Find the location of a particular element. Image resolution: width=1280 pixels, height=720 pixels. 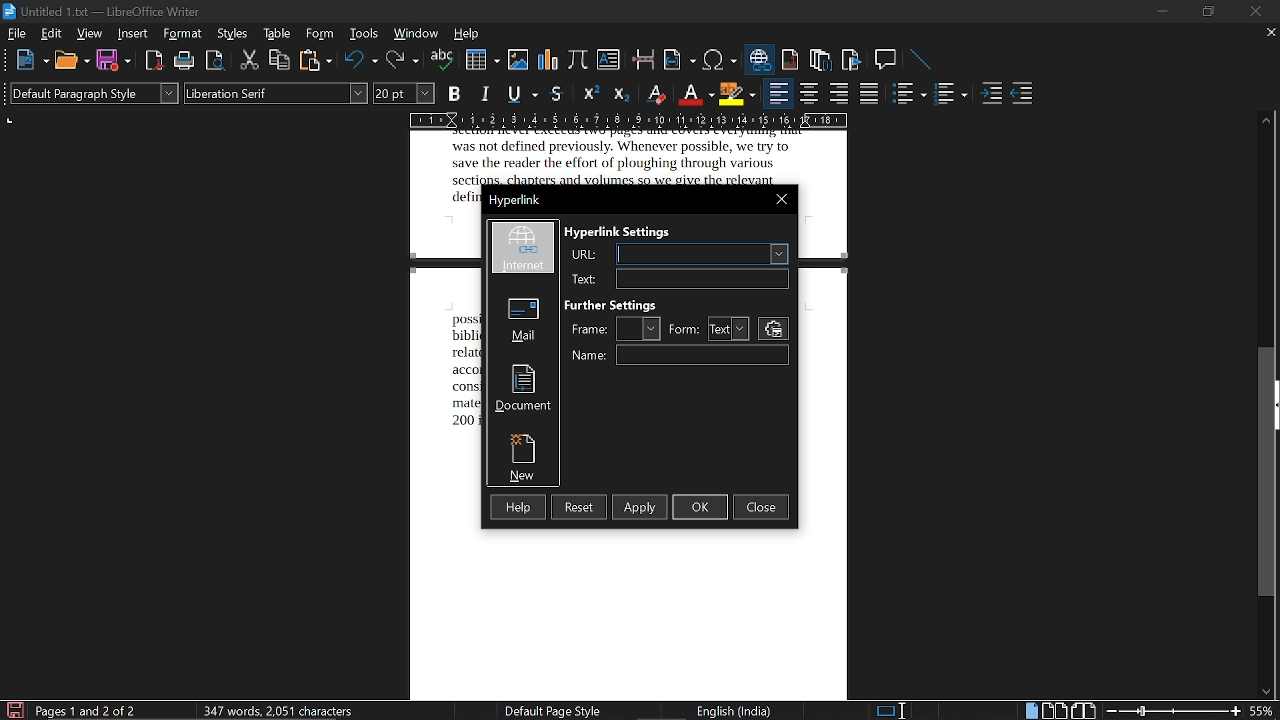

save is located at coordinates (113, 59).